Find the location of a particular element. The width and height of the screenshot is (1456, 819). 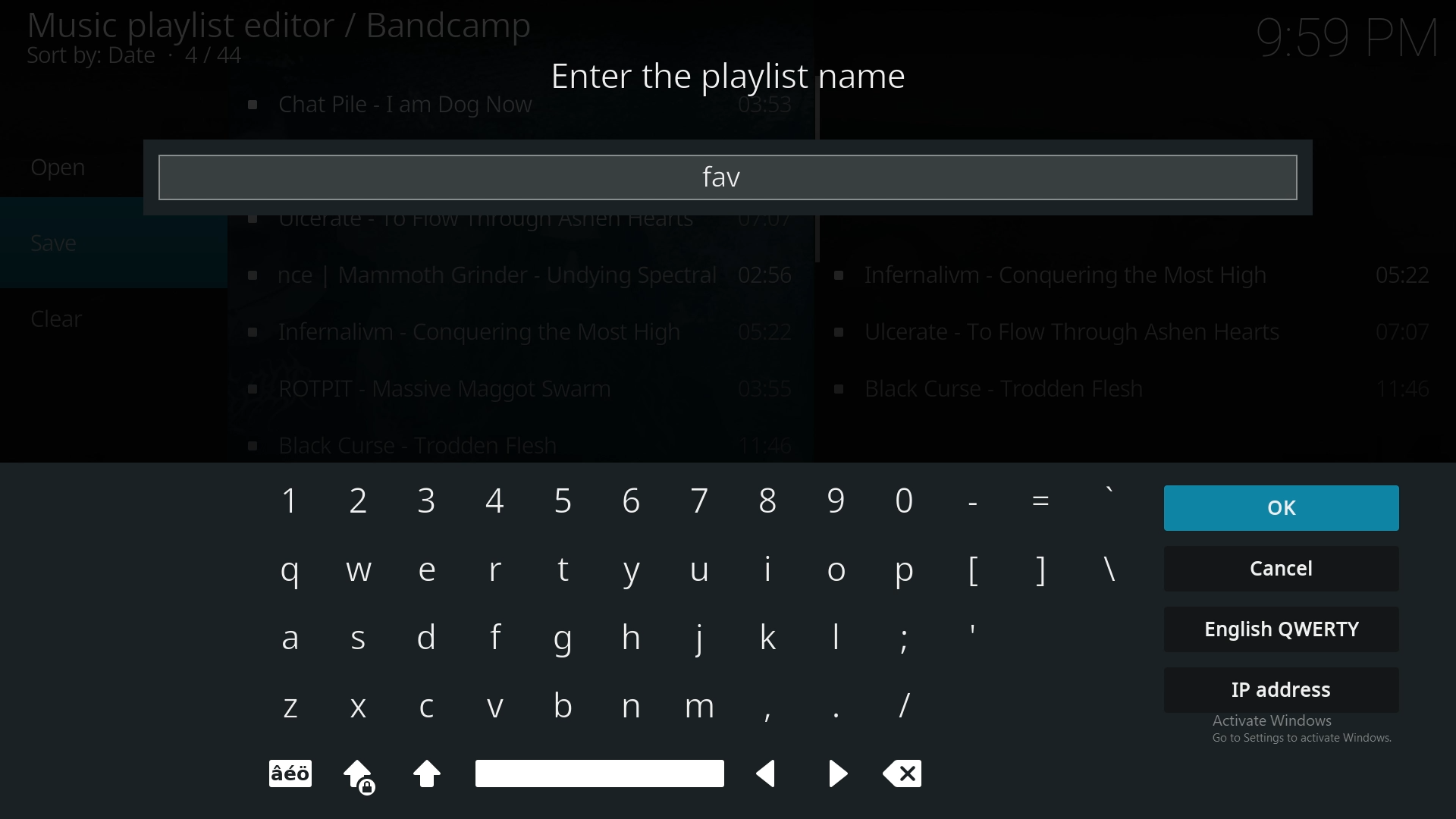

Activate Windows, Go to settings to activate windows is located at coordinates (1292, 732).